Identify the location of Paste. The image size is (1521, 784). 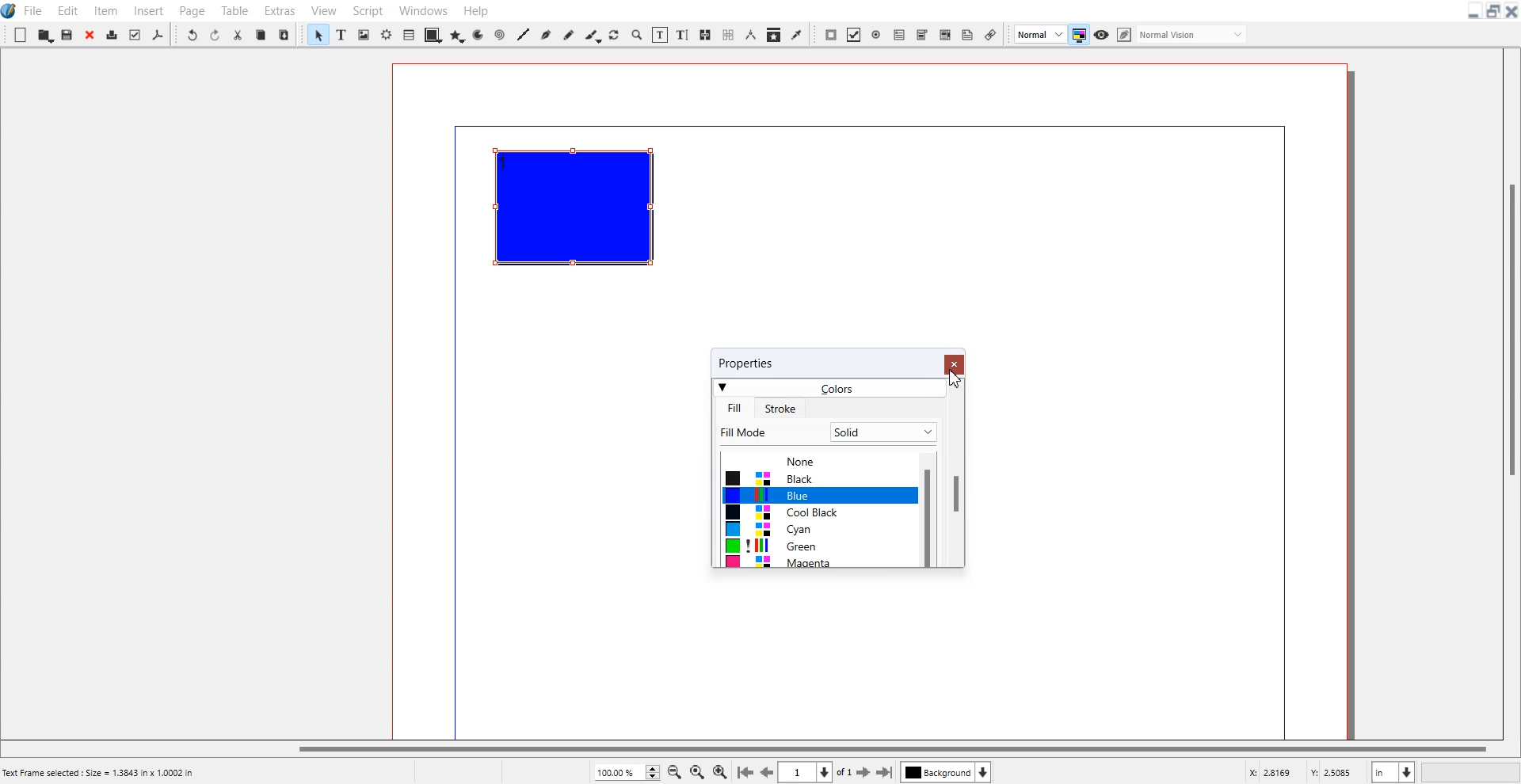
(284, 34).